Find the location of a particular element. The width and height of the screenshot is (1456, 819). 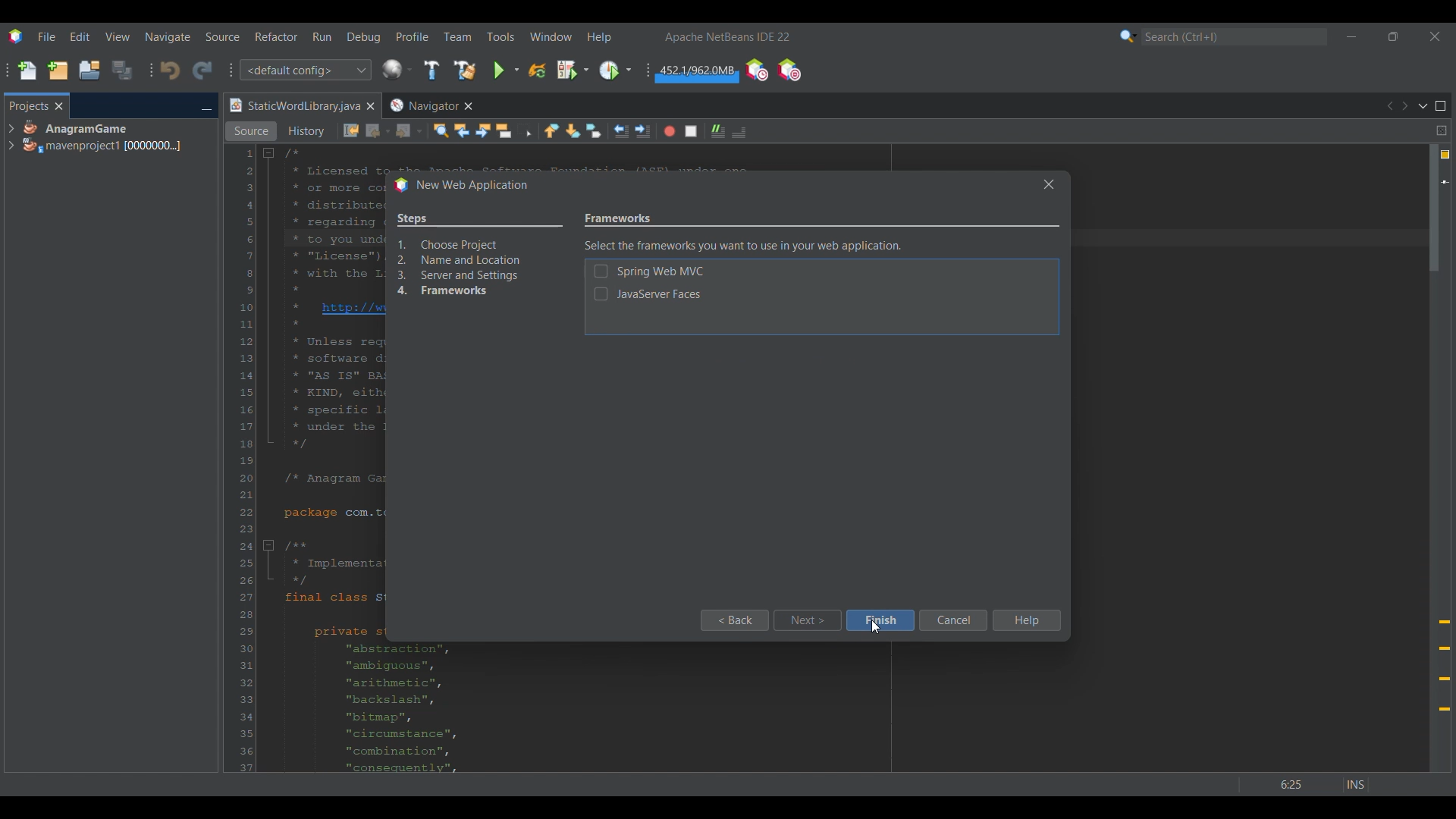

 is located at coordinates (1045, 184).